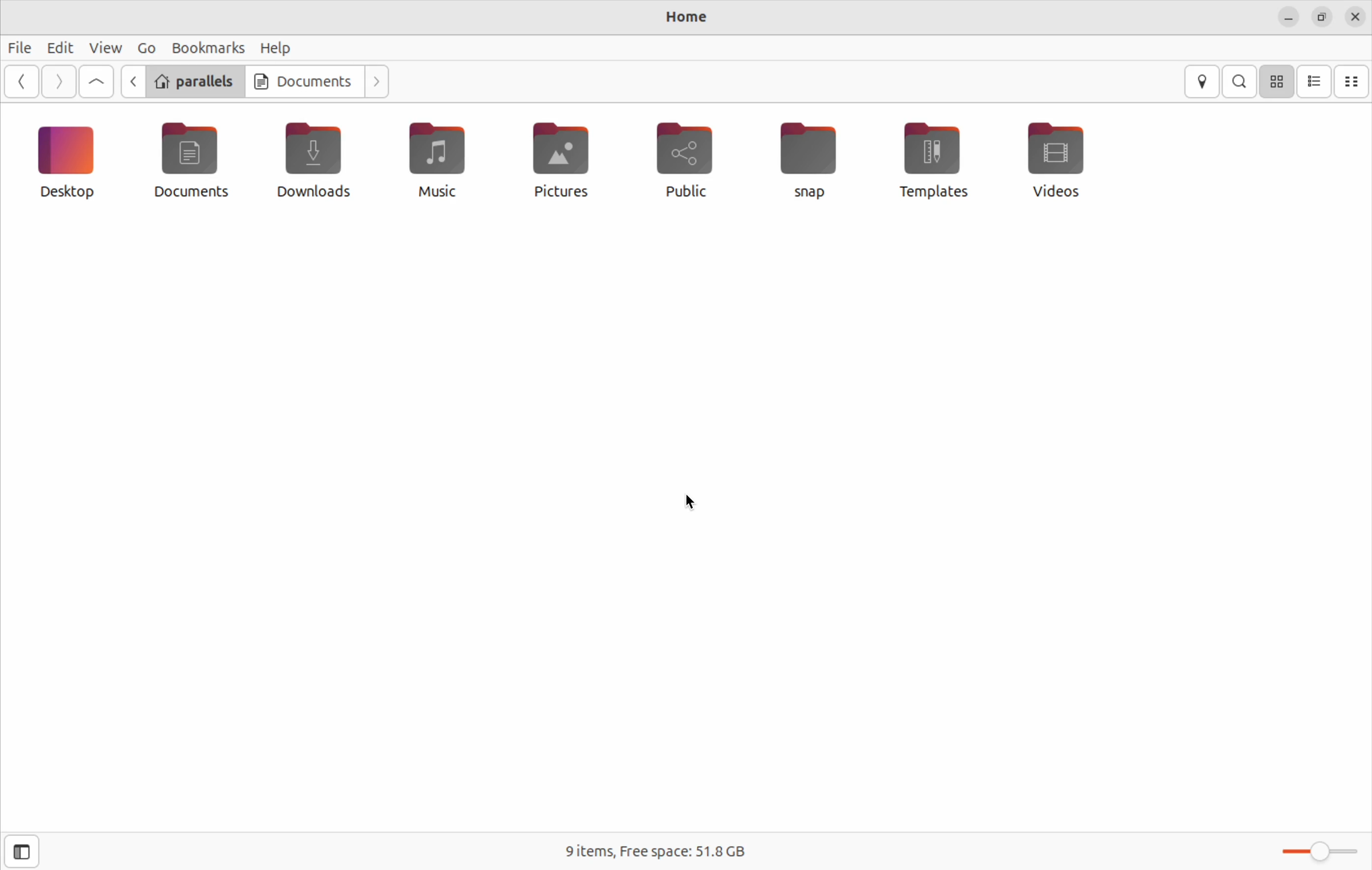 This screenshot has width=1372, height=870. Describe the element at coordinates (1355, 18) in the screenshot. I see `close` at that location.